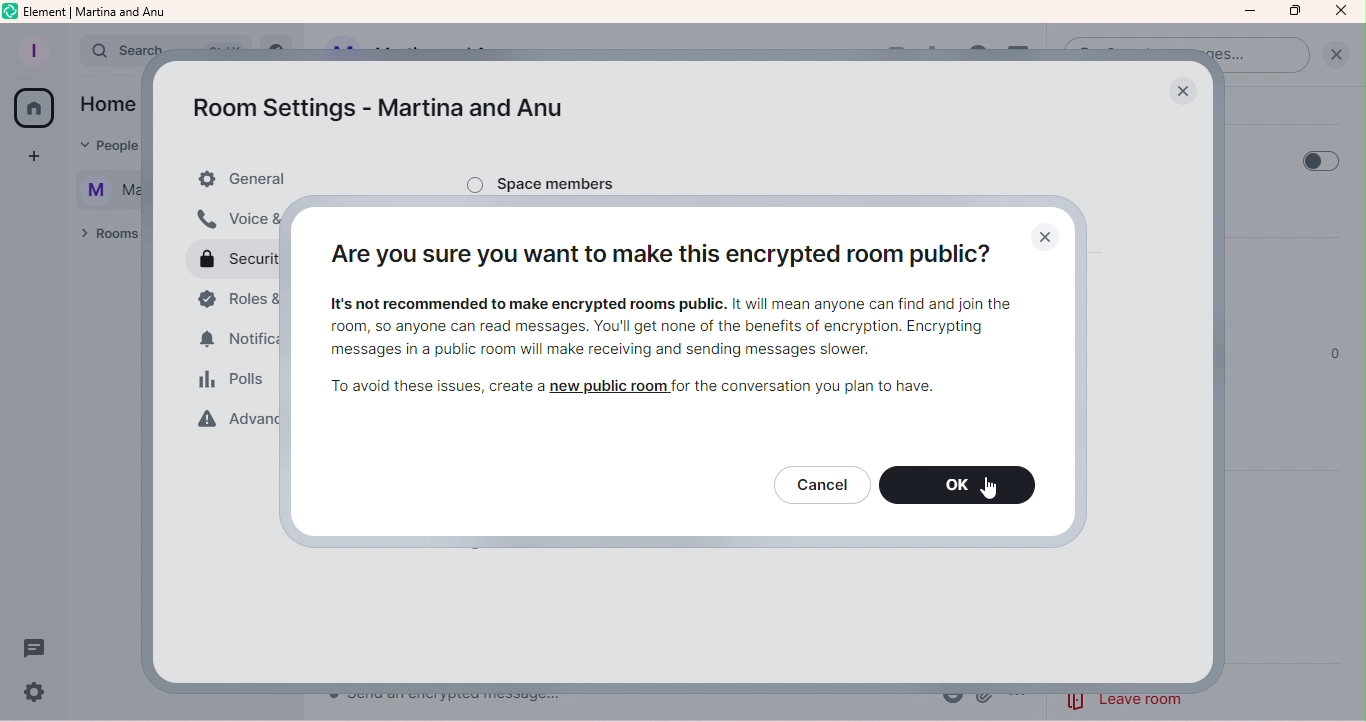 The width and height of the screenshot is (1366, 722). I want to click on Voice and video, so click(225, 221).